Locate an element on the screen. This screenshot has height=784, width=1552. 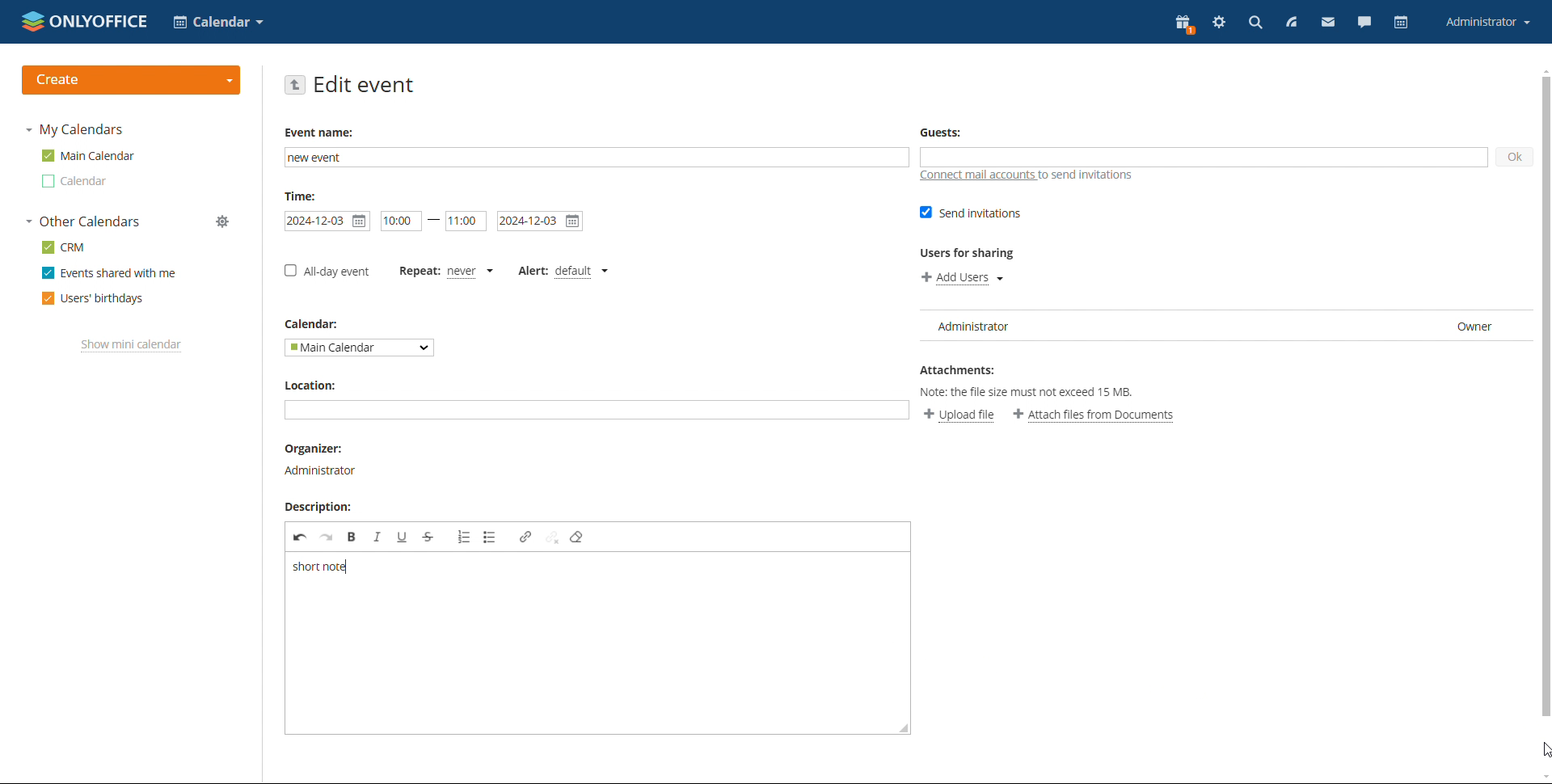
cursor is located at coordinates (1542, 750).